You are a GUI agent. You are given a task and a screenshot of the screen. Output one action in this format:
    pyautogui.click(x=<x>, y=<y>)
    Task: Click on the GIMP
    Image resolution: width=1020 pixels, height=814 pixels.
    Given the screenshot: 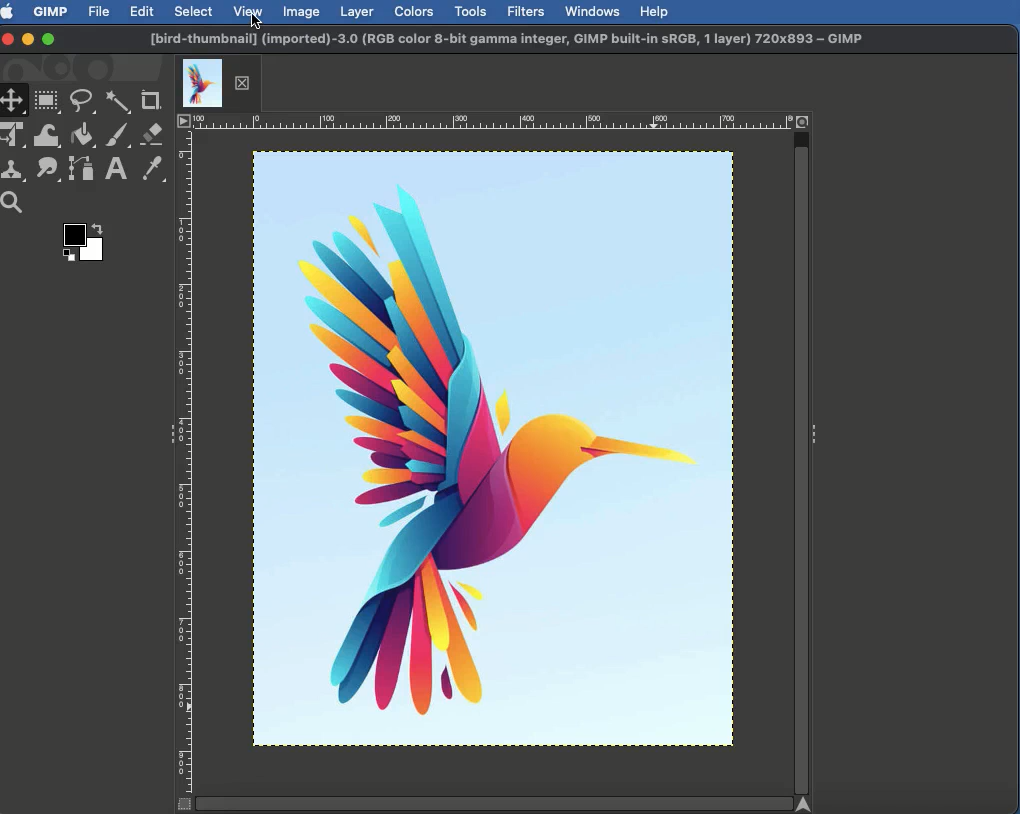 What is the action you would take?
    pyautogui.click(x=49, y=11)
    